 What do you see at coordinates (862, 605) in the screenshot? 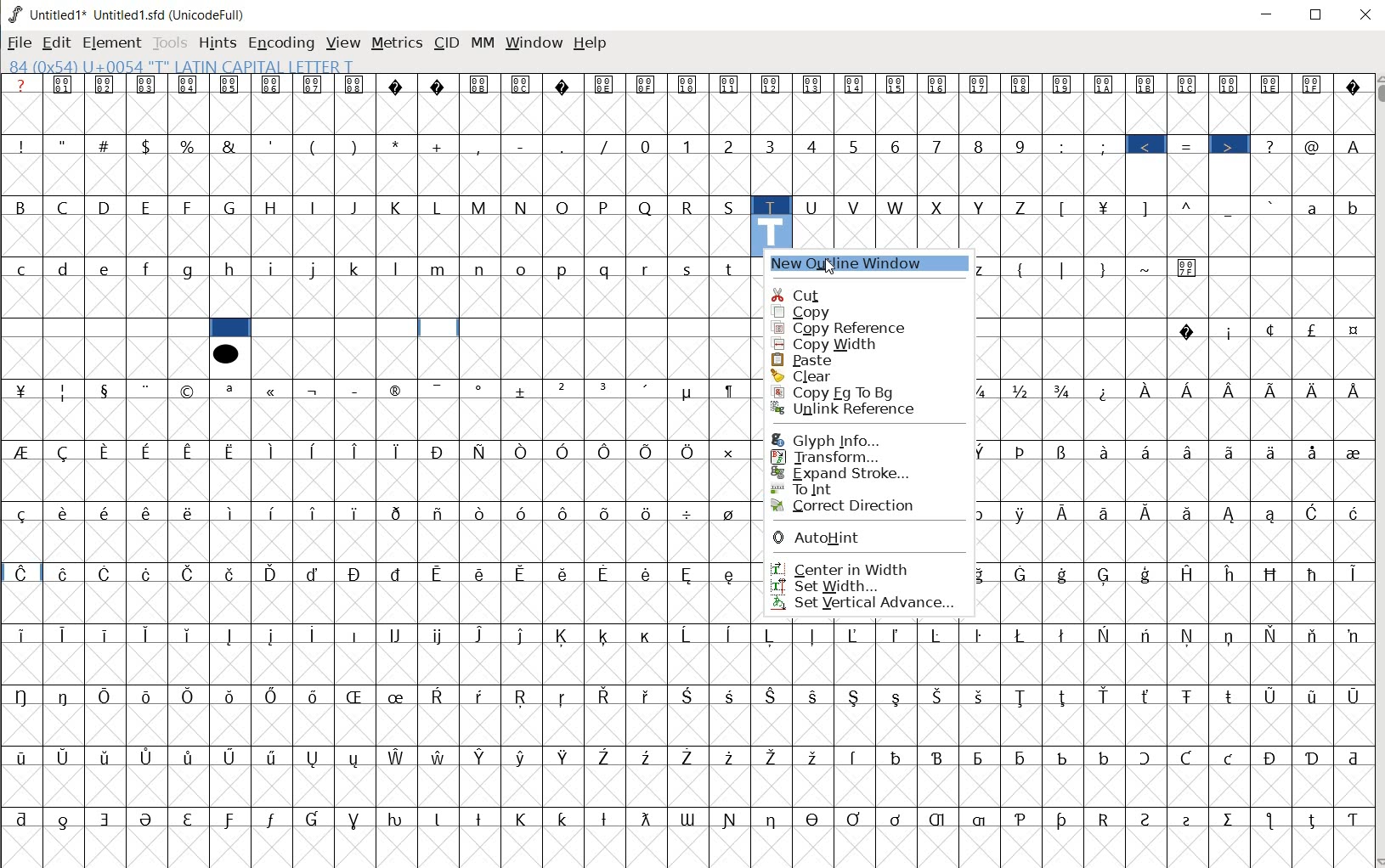
I see `set vertical advance` at bounding box center [862, 605].